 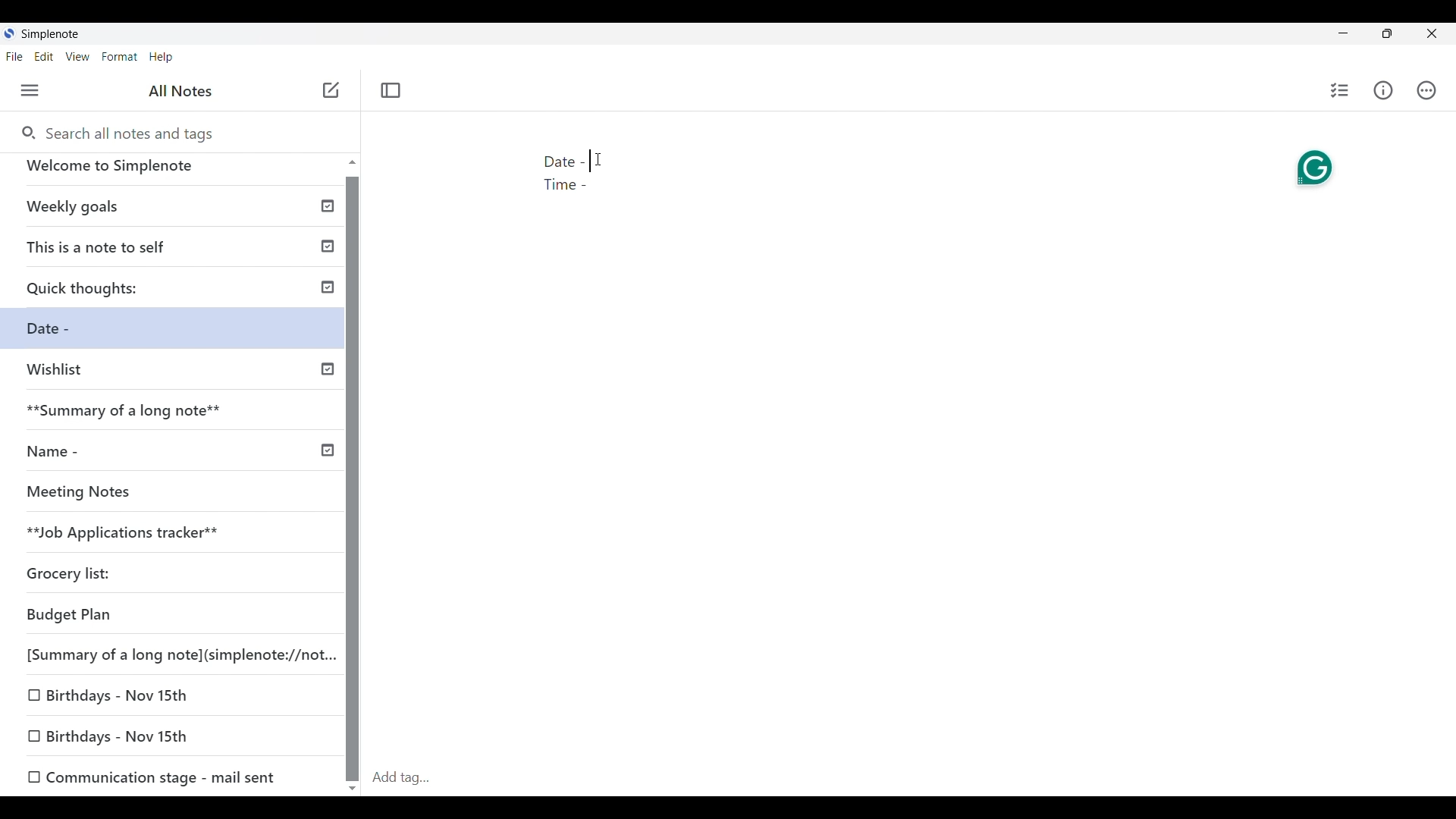 I want to click on Welcome note from software, current highlighted note, so click(x=173, y=172).